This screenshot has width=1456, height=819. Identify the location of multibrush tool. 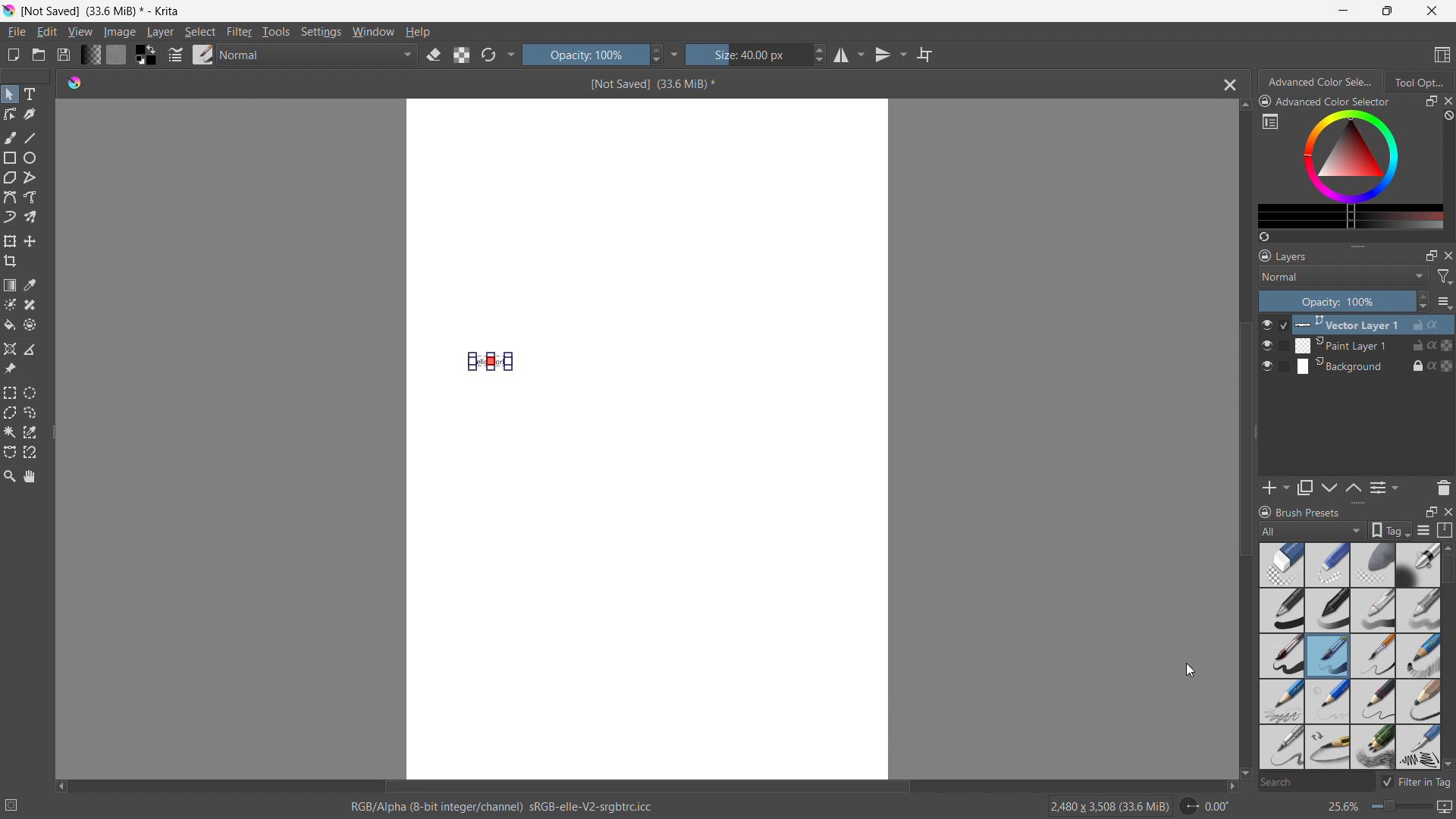
(30, 217).